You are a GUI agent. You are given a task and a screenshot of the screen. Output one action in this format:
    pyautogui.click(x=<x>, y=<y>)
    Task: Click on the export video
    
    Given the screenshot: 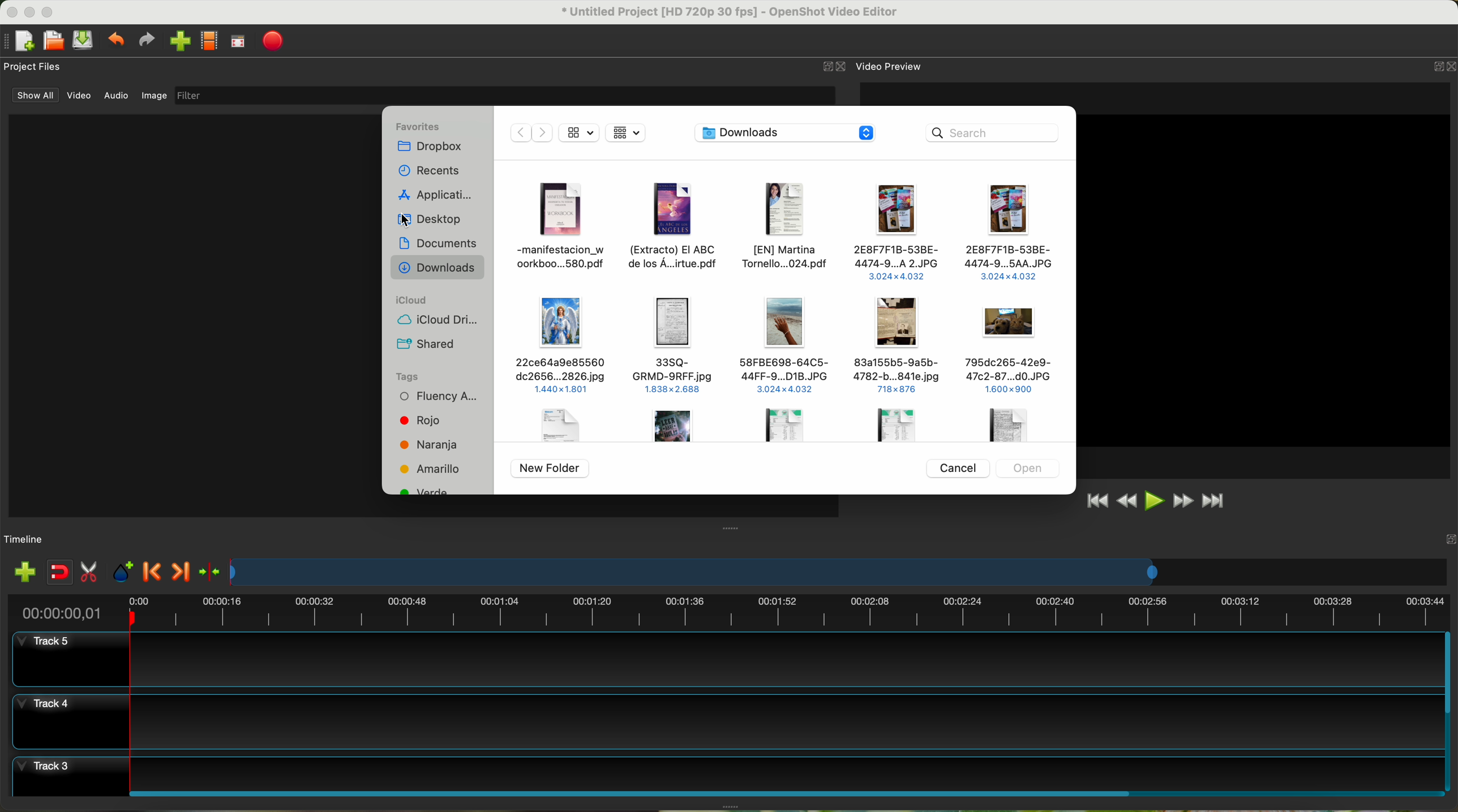 What is the action you would take?
    pyautogui.click(x=273, y=42)
    